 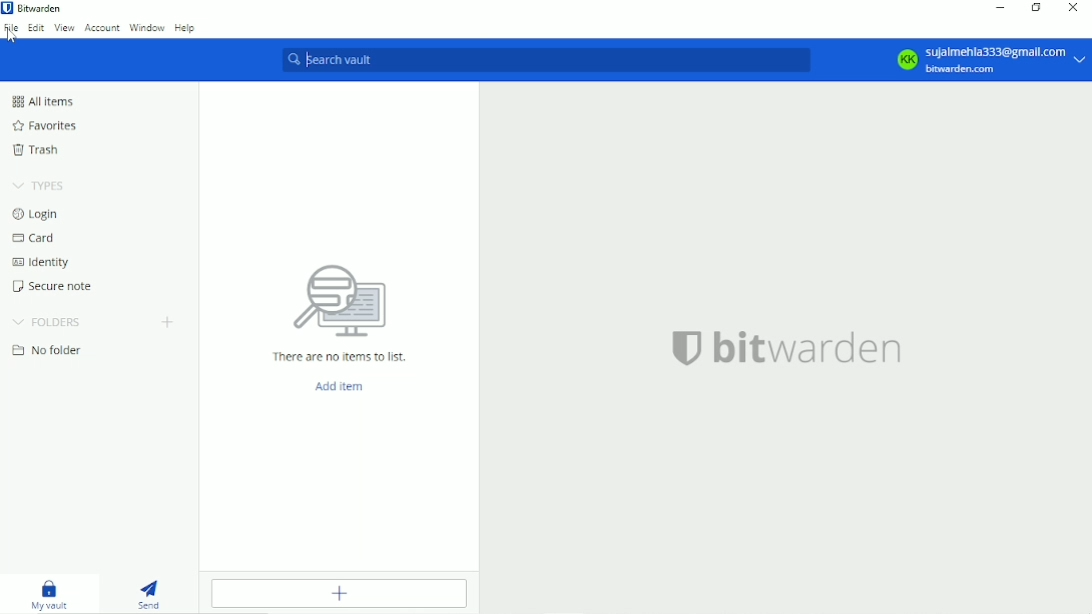 I want to click on Folders, so click(x=47, y=322).